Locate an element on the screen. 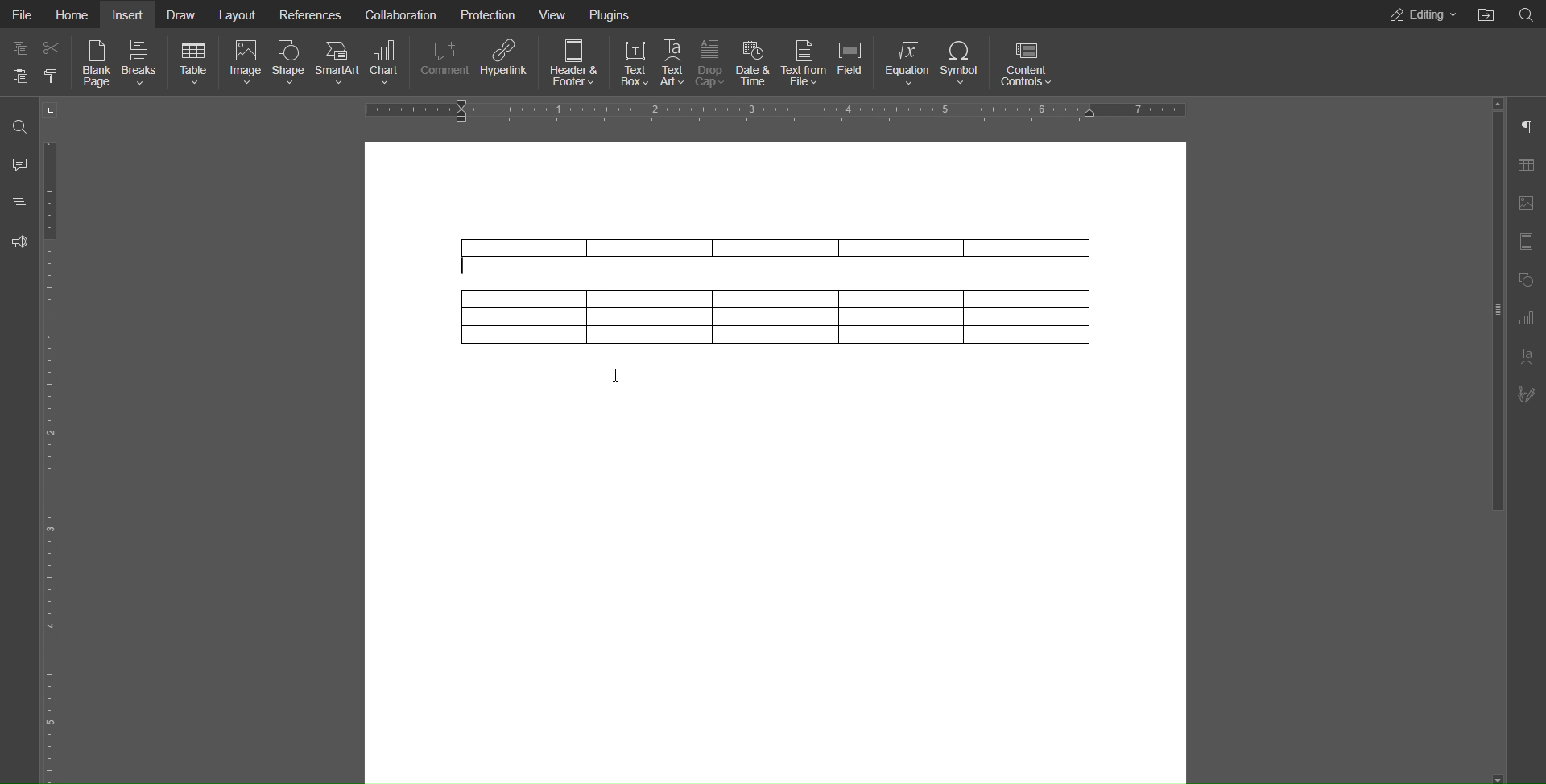 This screenshot has width=1546, height=784. SmartArt is located at coordinates (341, 64).